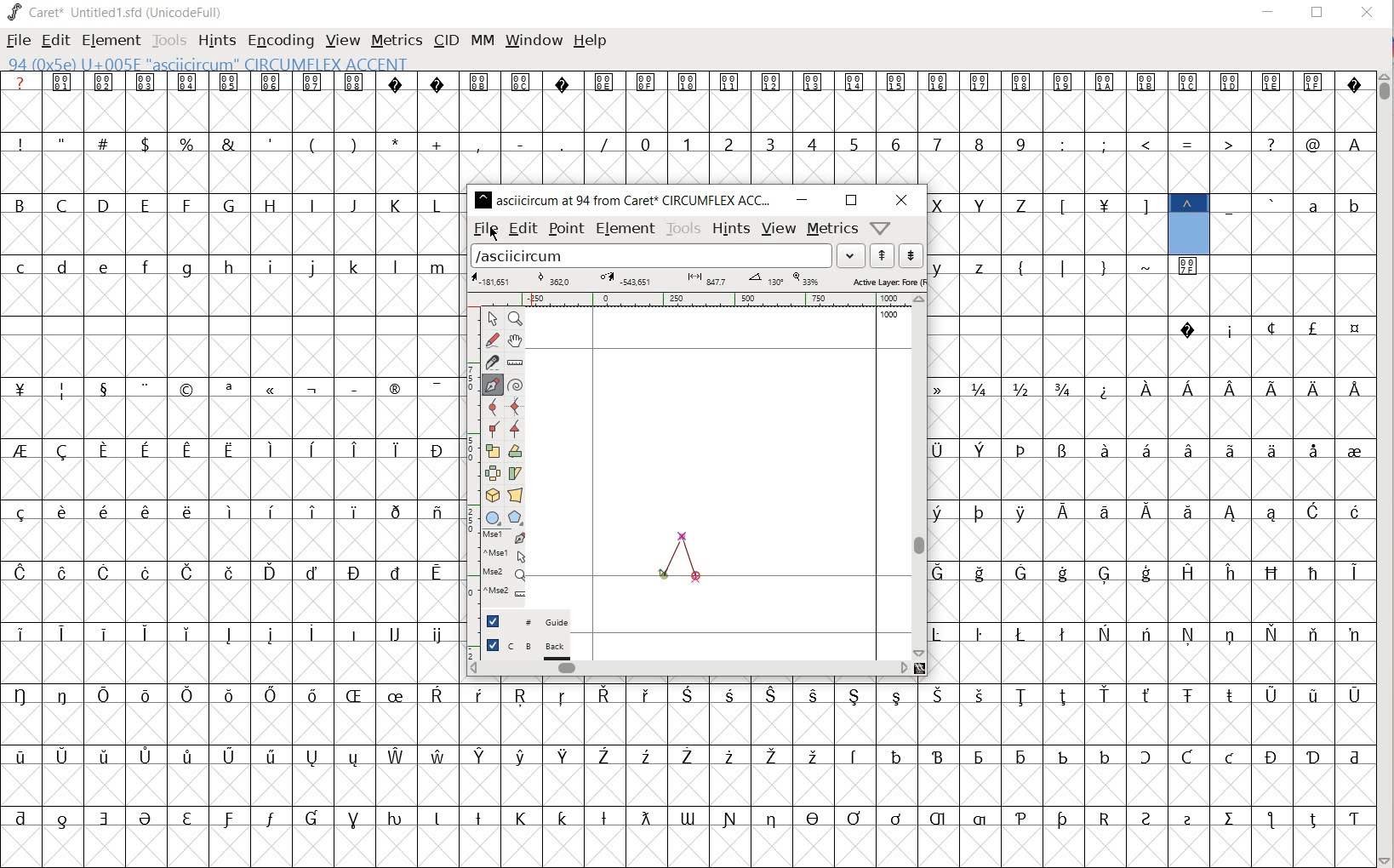 Image resolution: width=1394 pixels, height=868 pixels. I want to click on 94 0xSe U+00SE "asciicircum" CIRCUMFLEX ACCENT, so click(1187, 222).